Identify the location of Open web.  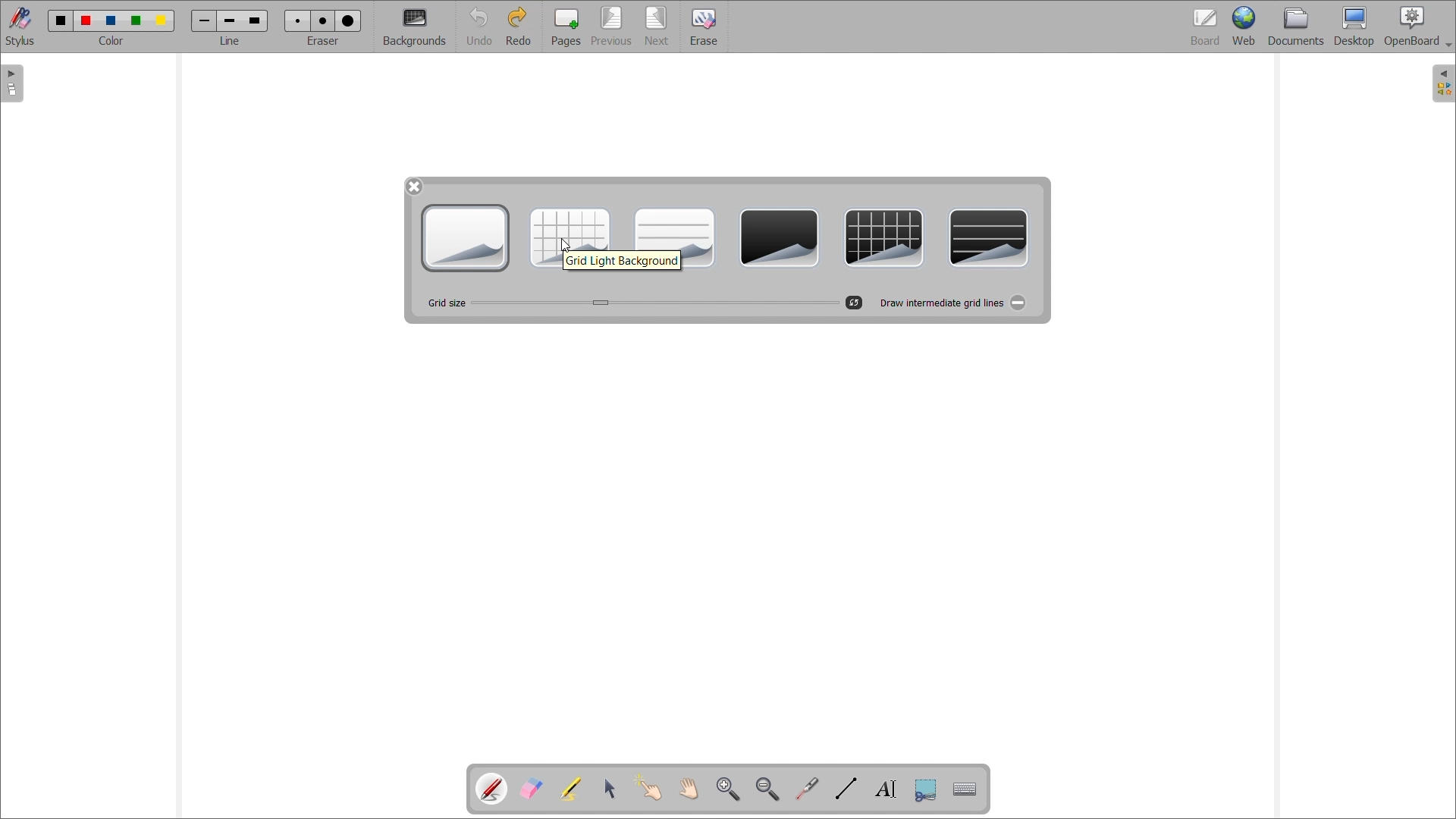
(1244, 26).